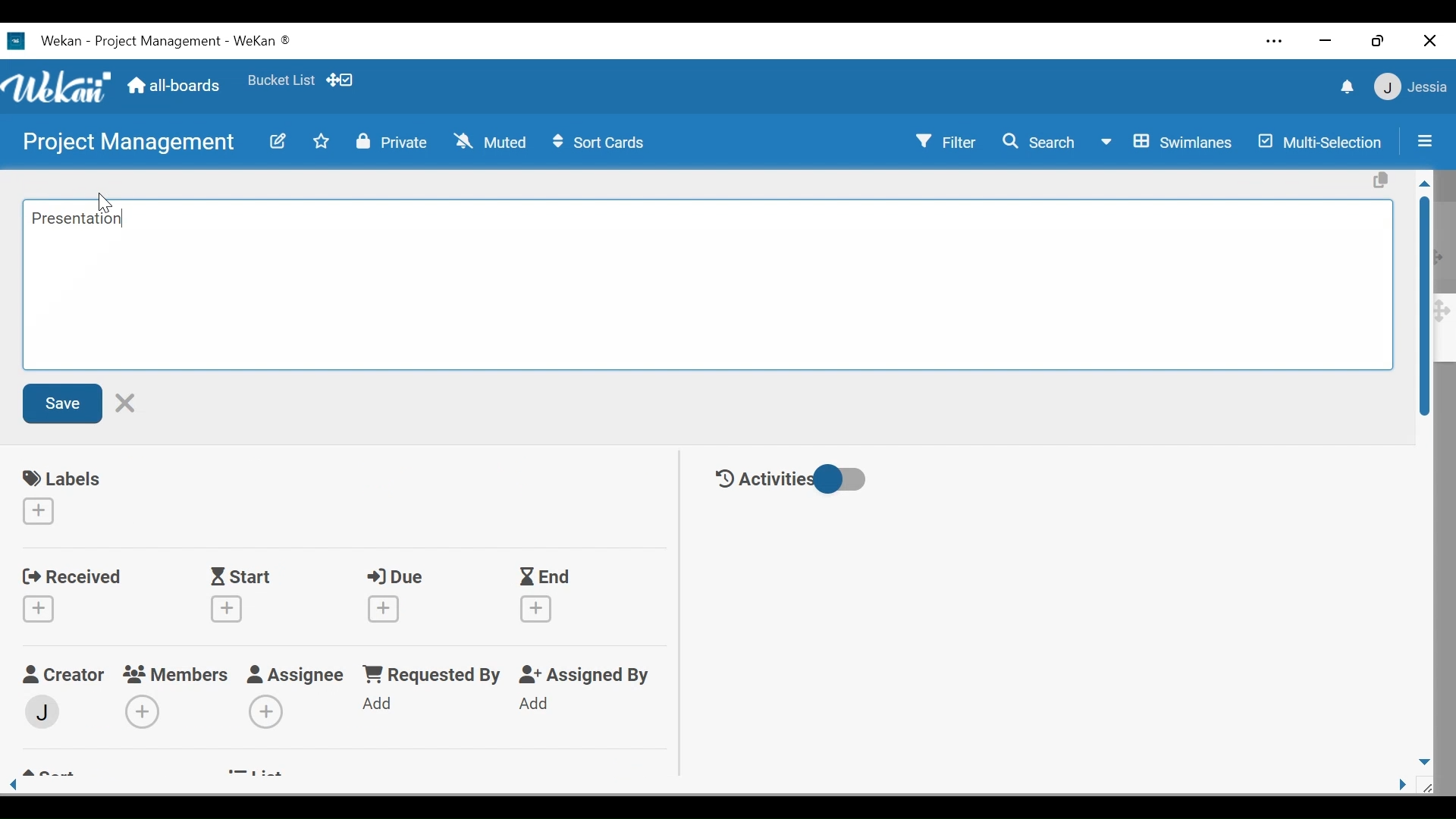 This screenshot has height=819, width=1456. Describe the element at coordinates (44, 40) in the screenshot. I see `Wekan Desktop icon` at that location.